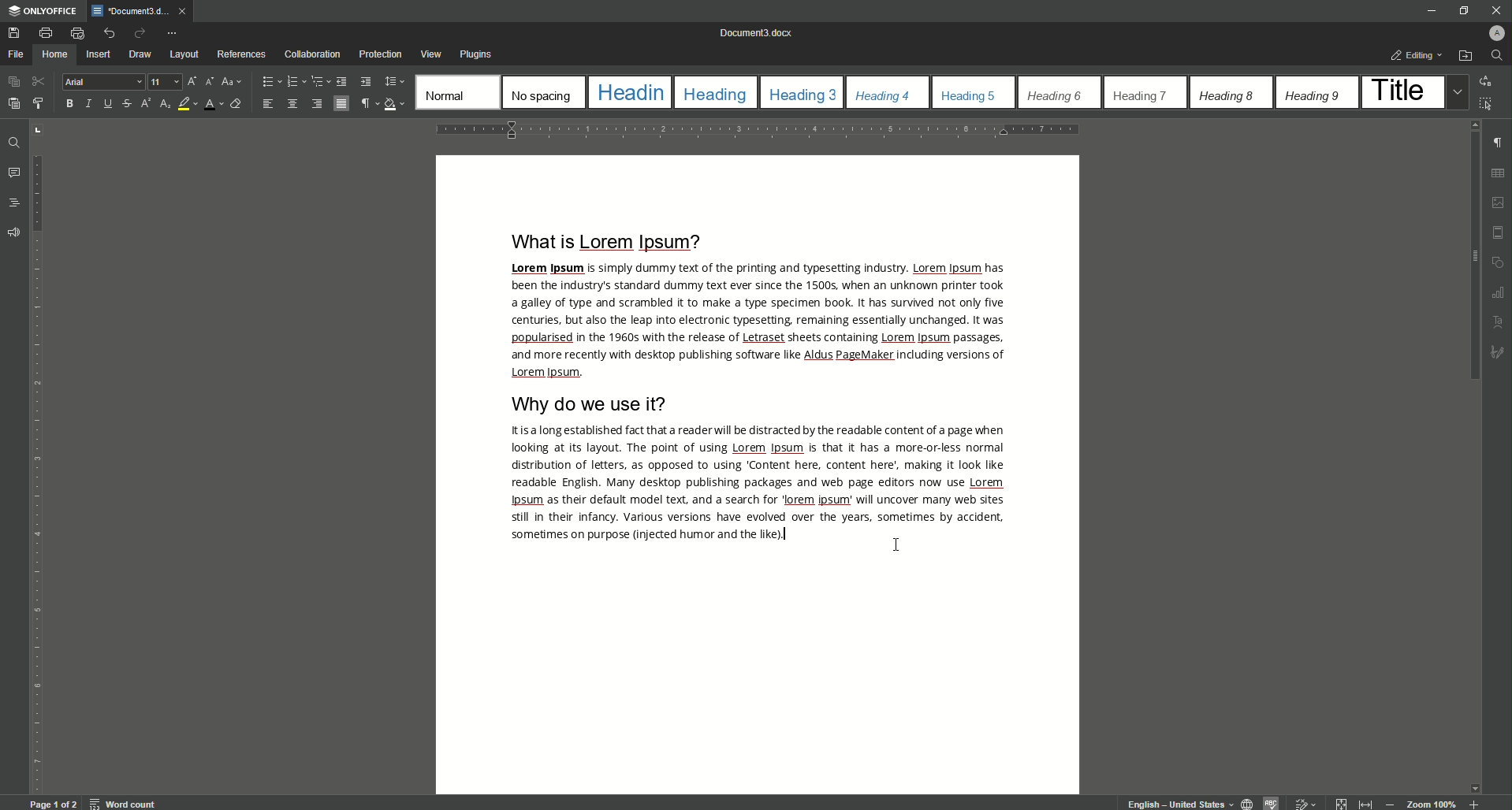 This screenshot has height=810, width=1512. What do you see at coordinates (67, 104) in the screenshot?
I see `B` at bounding box center [67, 104].